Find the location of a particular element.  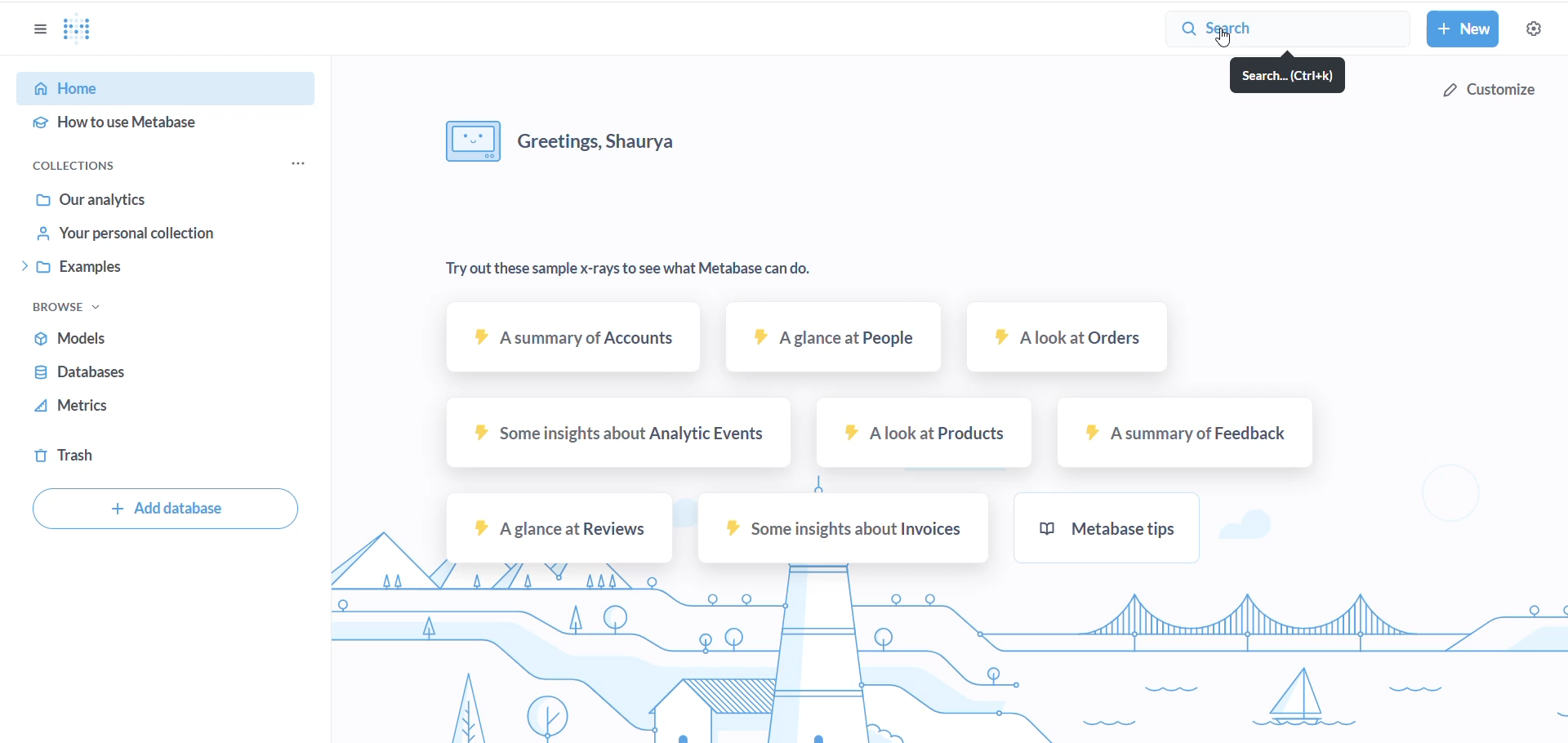

trash is located at coordinates (106, 451).